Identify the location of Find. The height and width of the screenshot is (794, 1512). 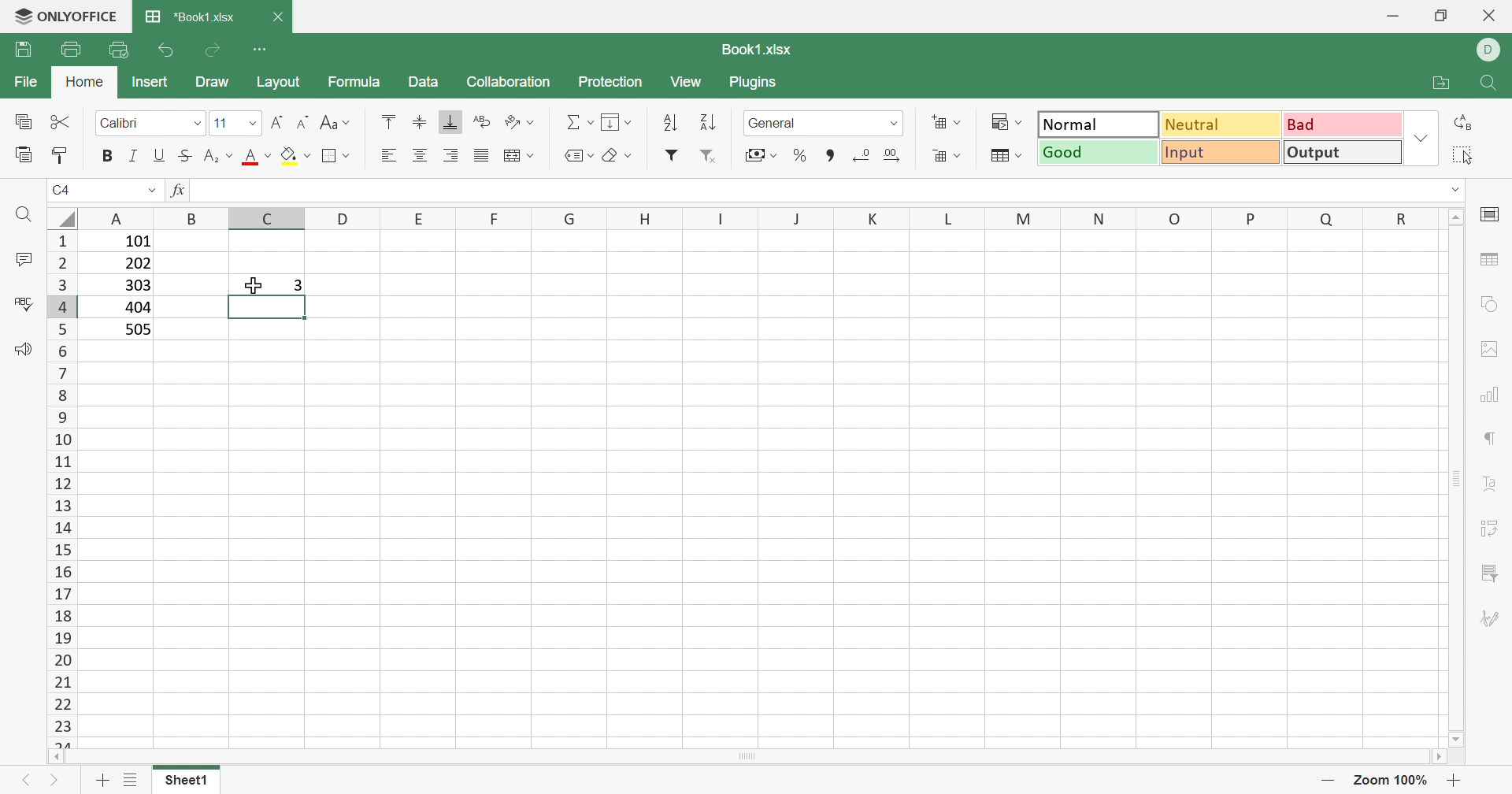
(21, 214).